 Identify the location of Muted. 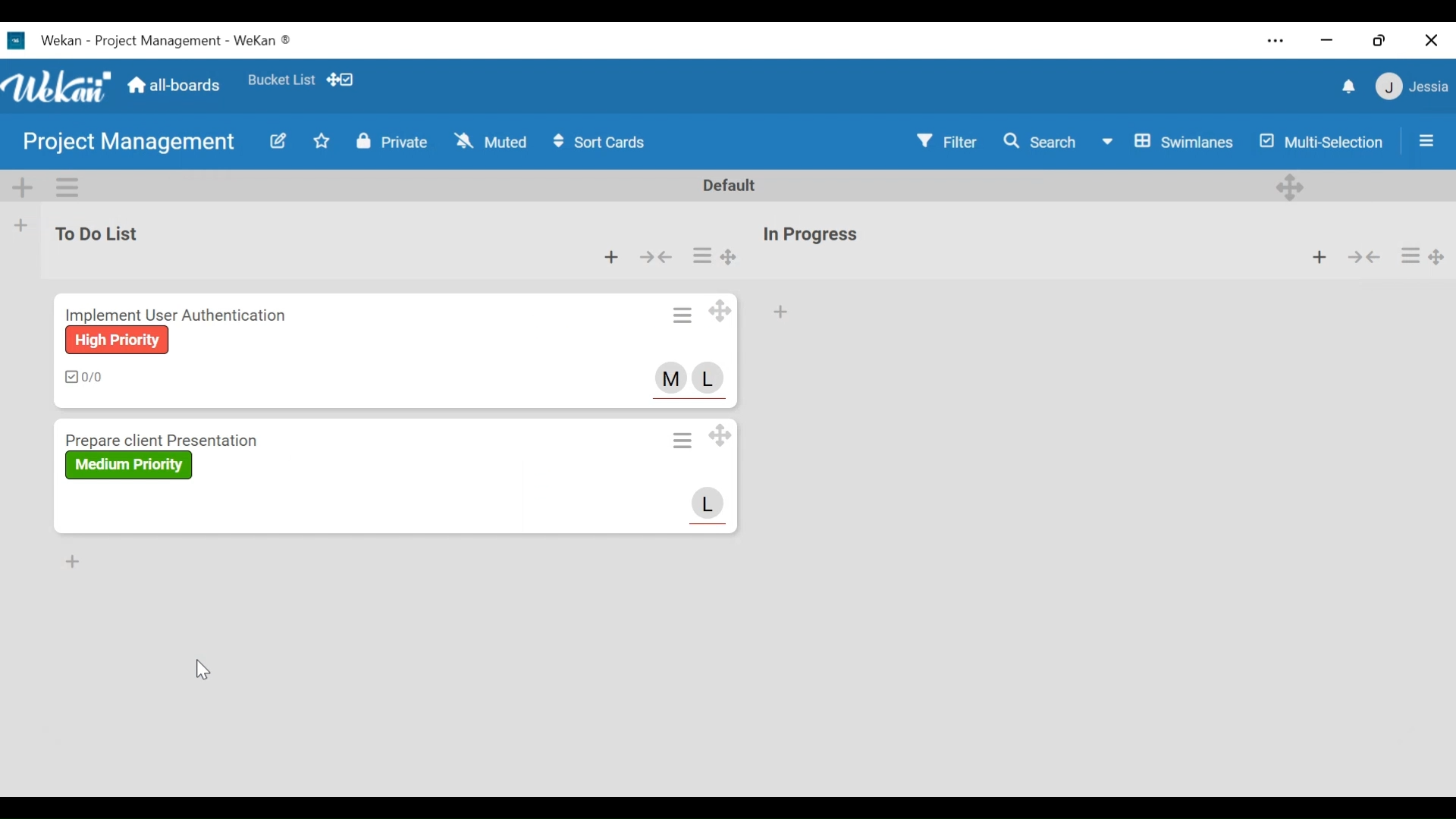
(491, 142).